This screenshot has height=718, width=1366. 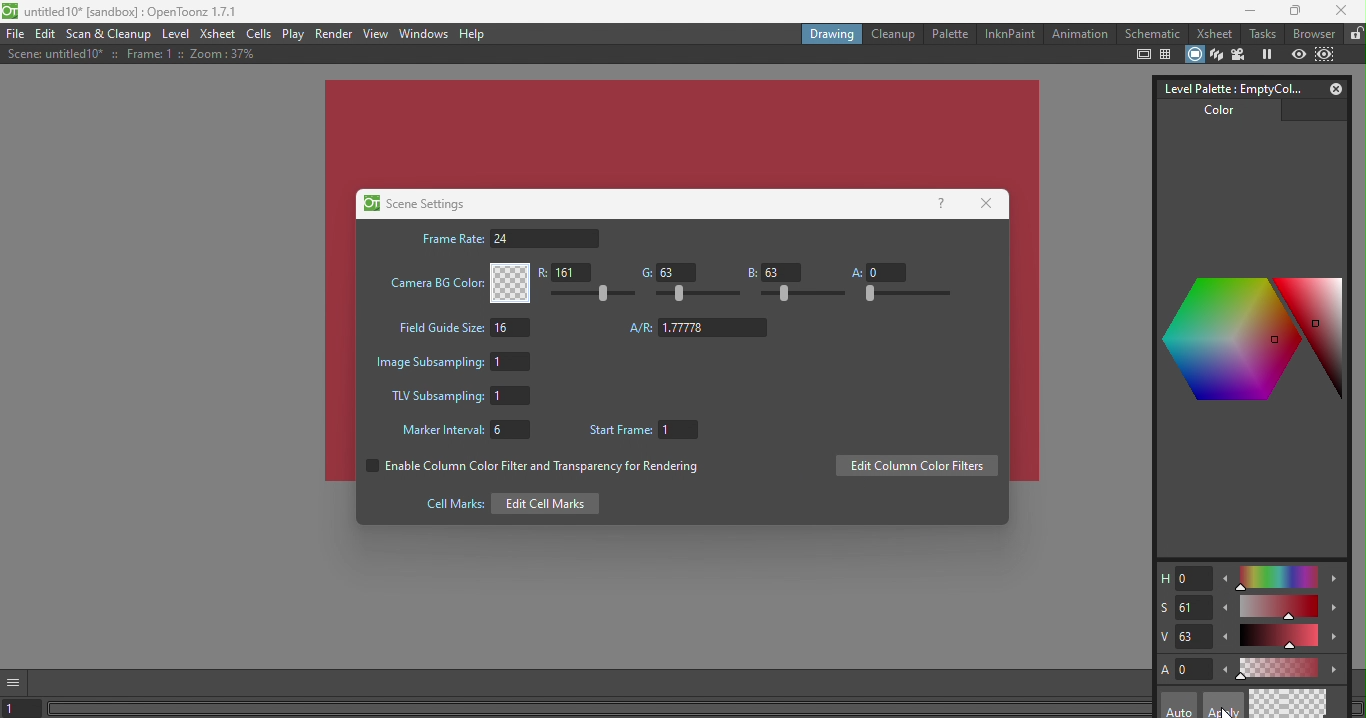 I want to click on Drawing, so click(x=830, y=33).